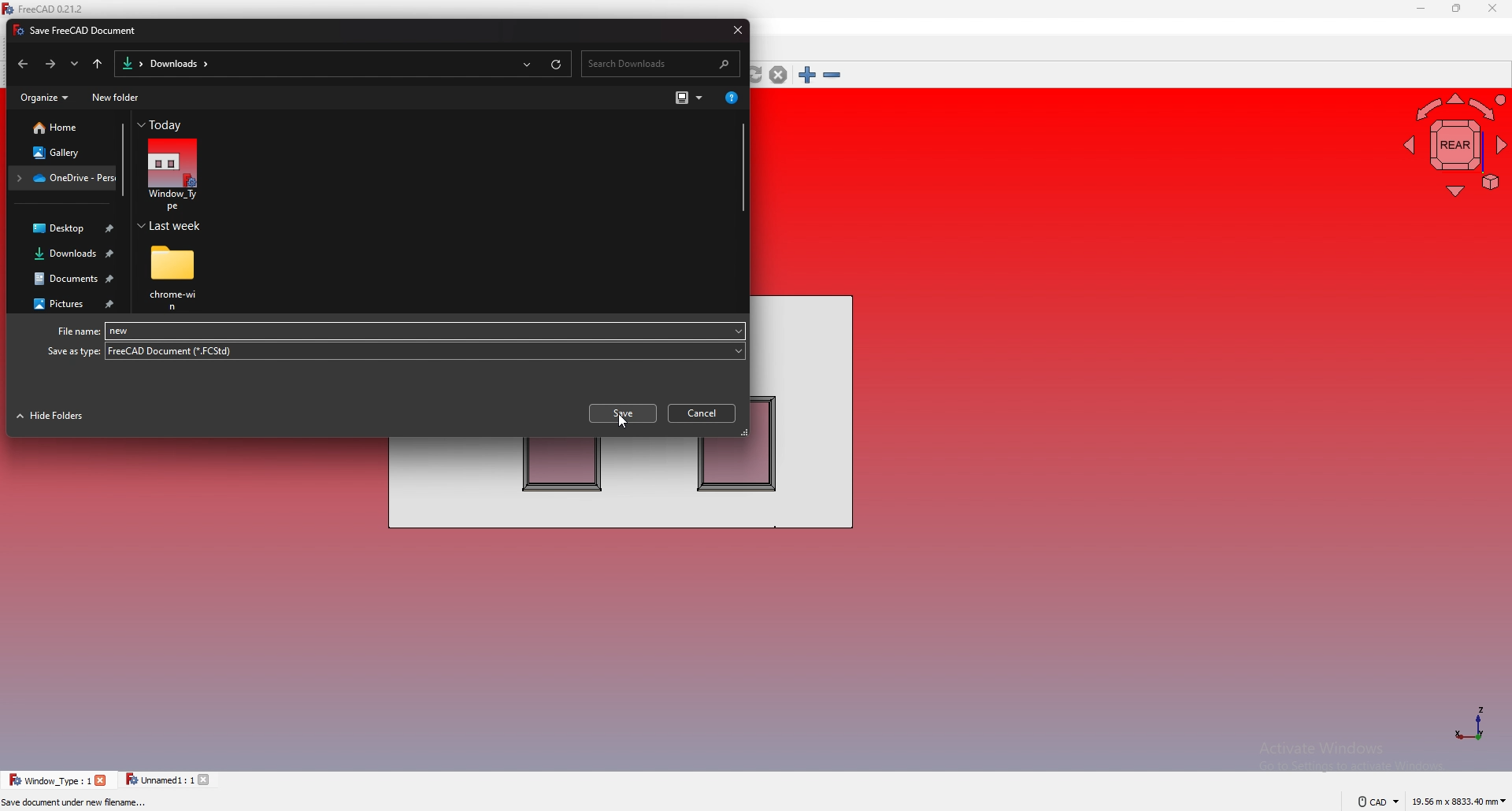 This screenshot has width=1512, height=811. I want to click on pictures, so click(66, 304).